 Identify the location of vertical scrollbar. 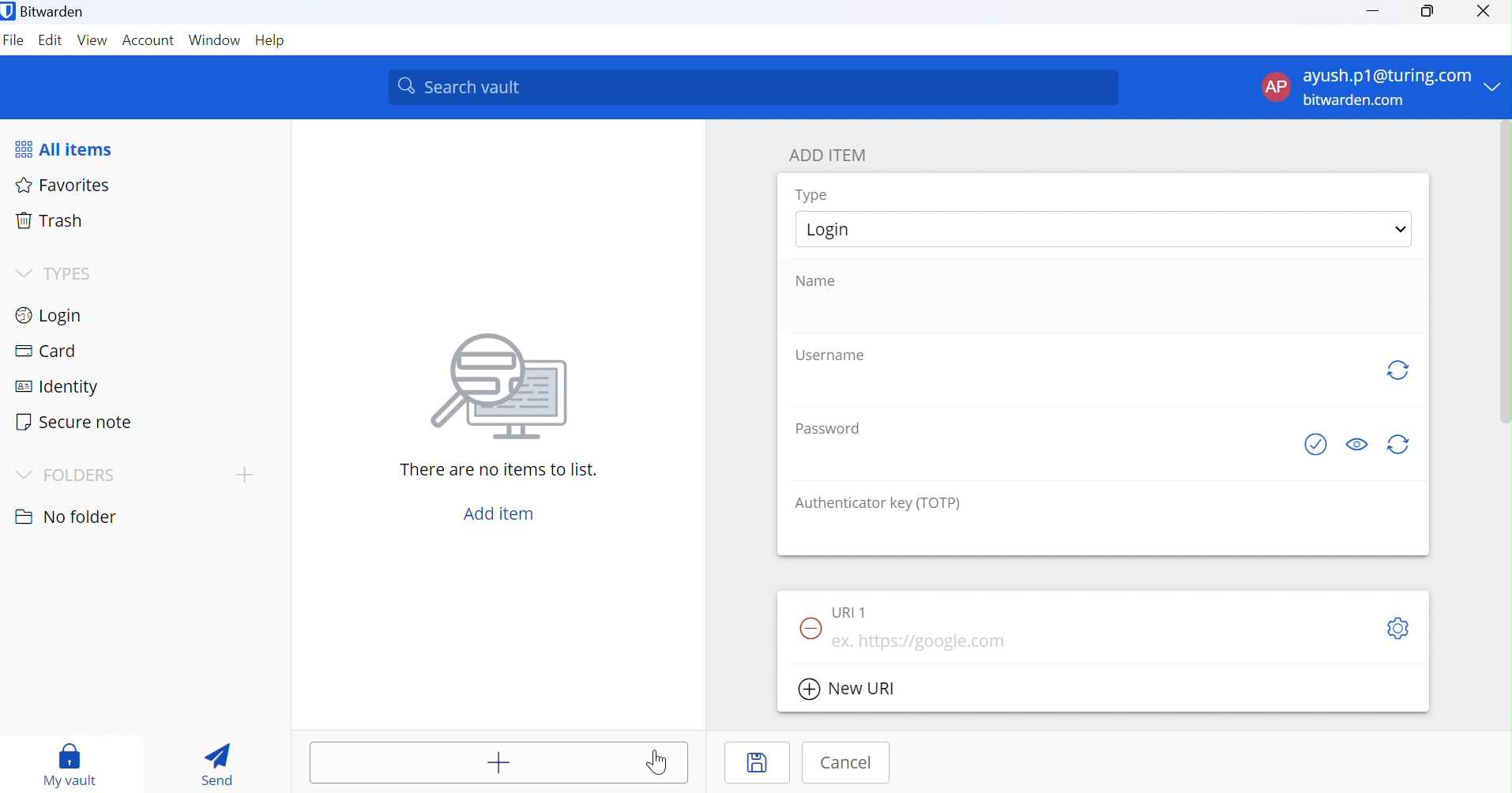
(1506, 272).